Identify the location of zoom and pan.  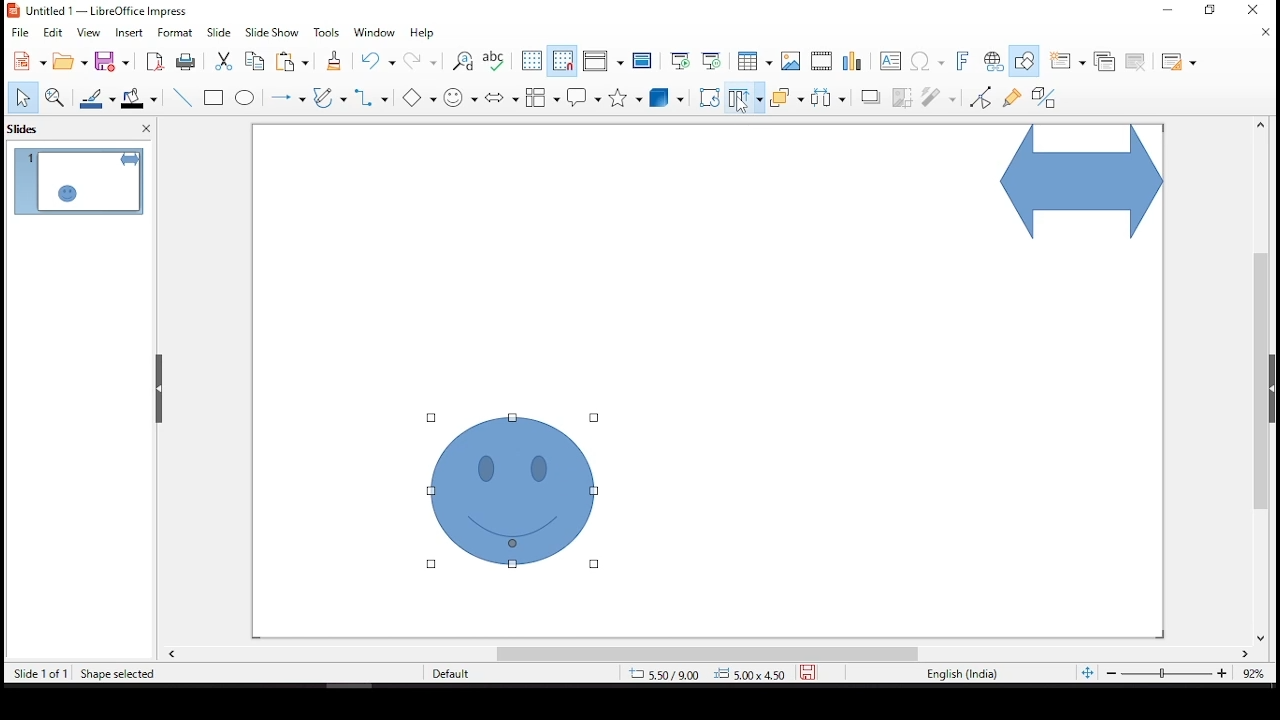
(55, 97).